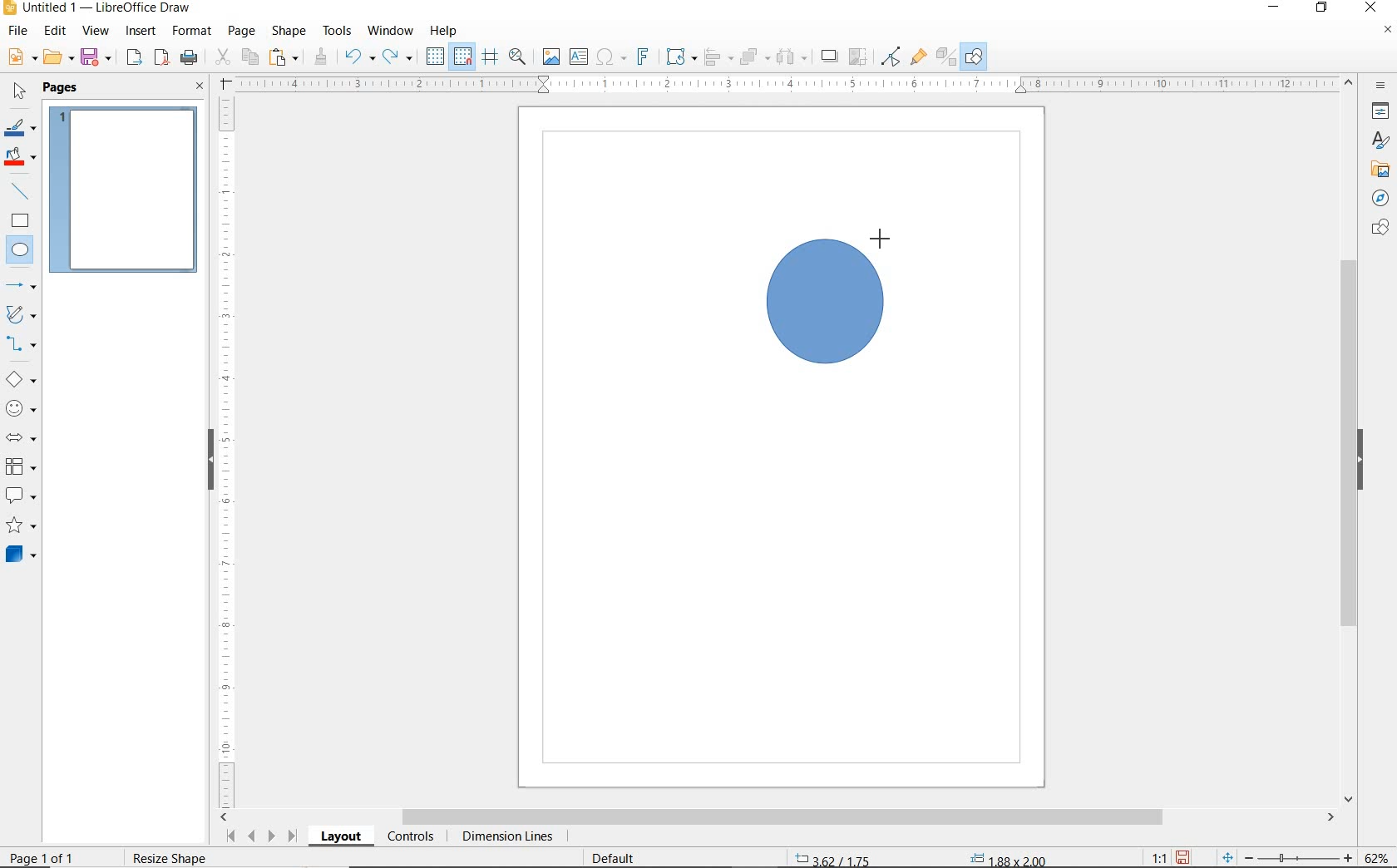 The width and height of the screenshot is (1397, 868). Describe the element at coordinates (22, 344) in the screenshot. I see `CONNECTORS` at that location.